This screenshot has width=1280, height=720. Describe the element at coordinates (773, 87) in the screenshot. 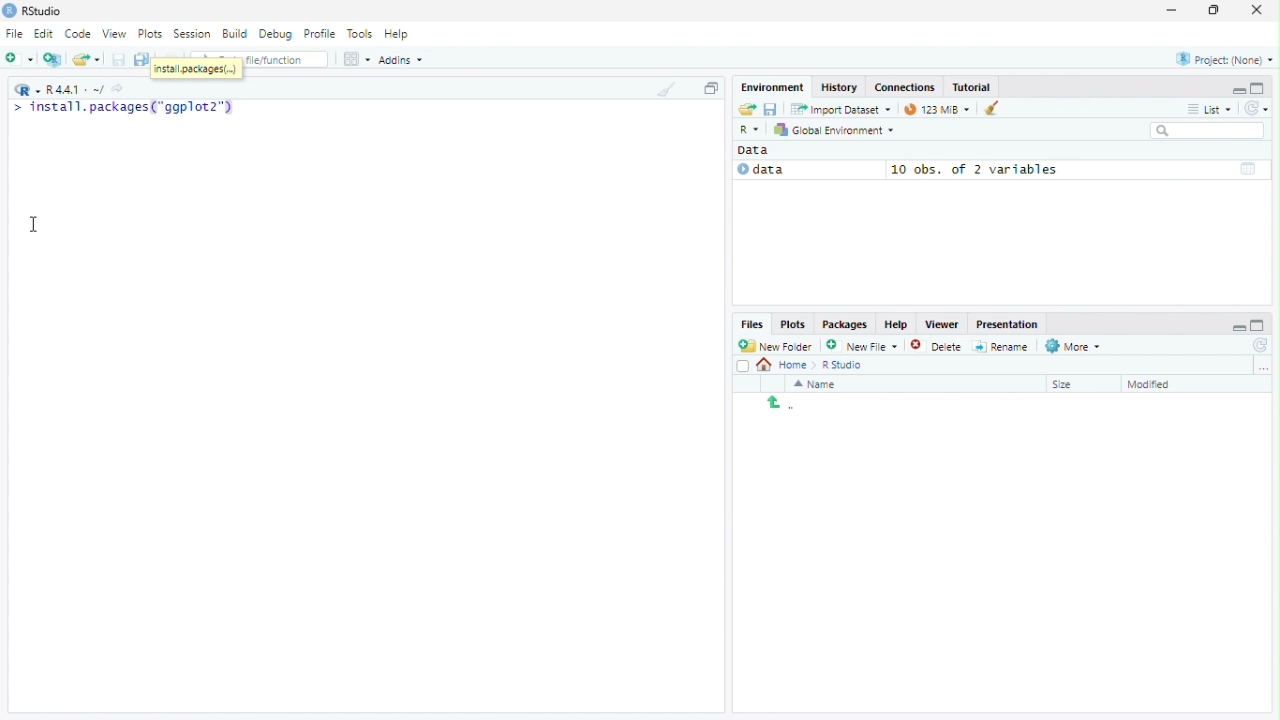

I see `Environment` at that location.